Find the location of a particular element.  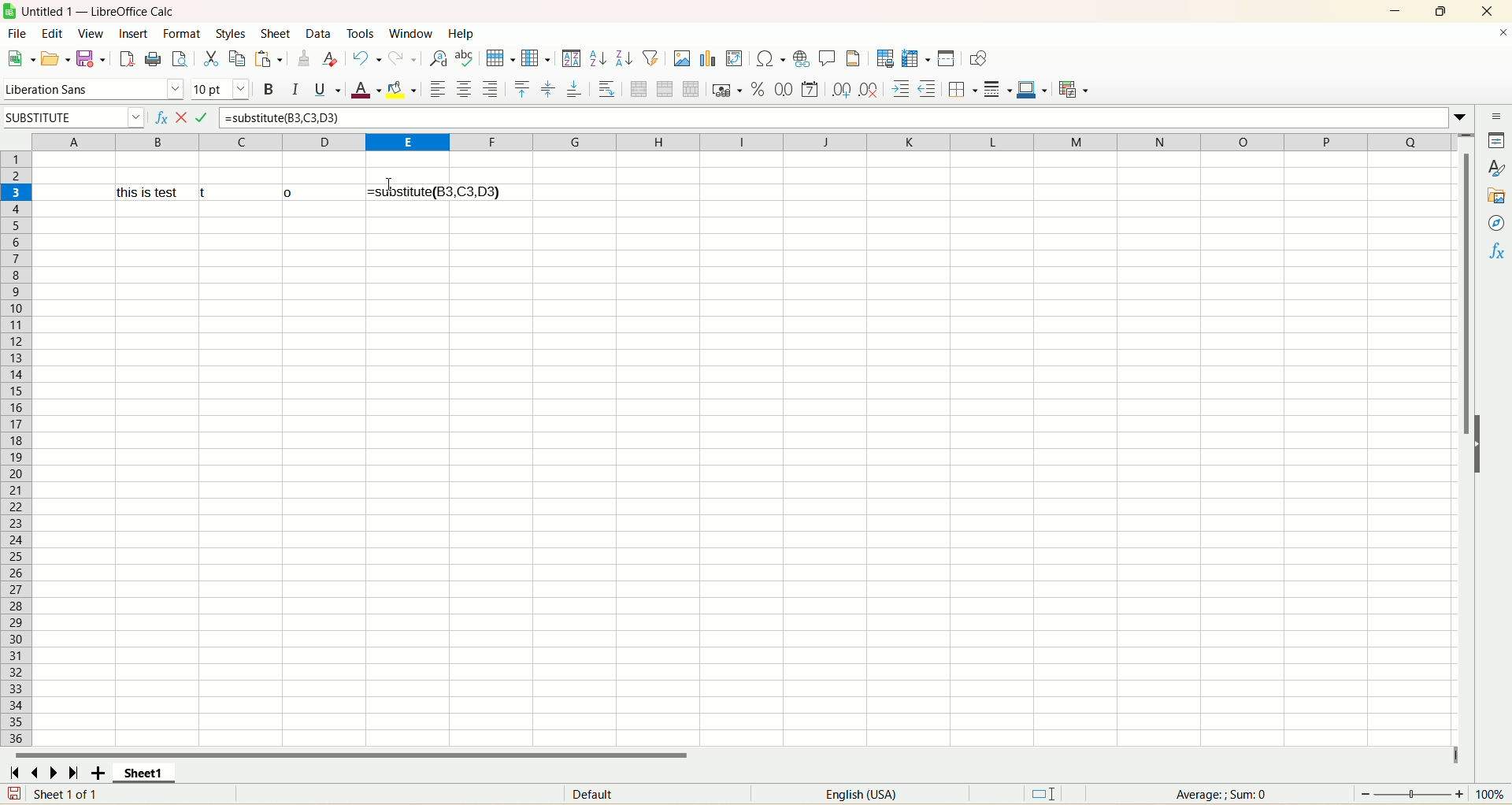

window is located at coordinates (407, 32).